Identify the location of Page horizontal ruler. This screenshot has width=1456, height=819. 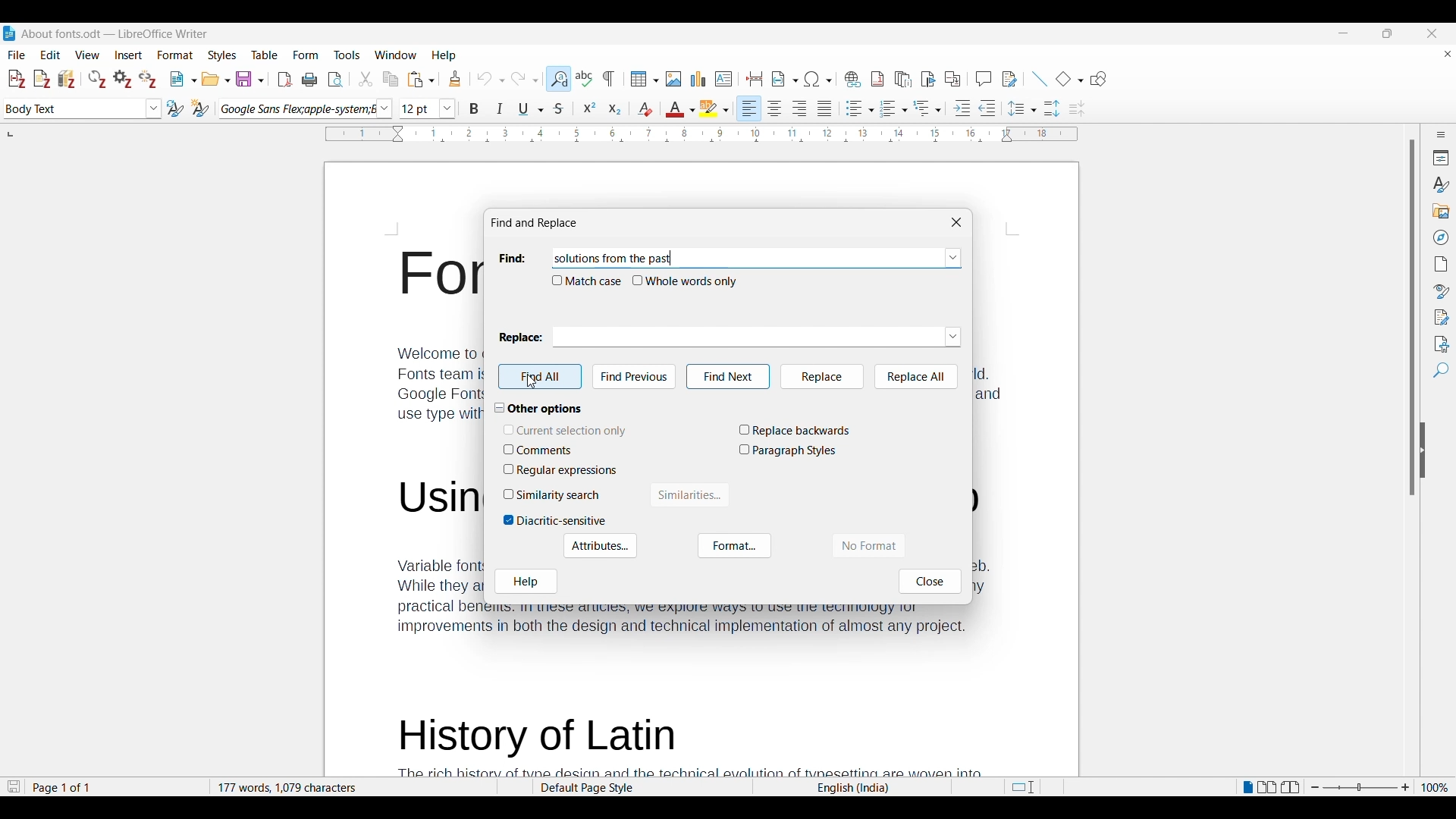
(701, 134).